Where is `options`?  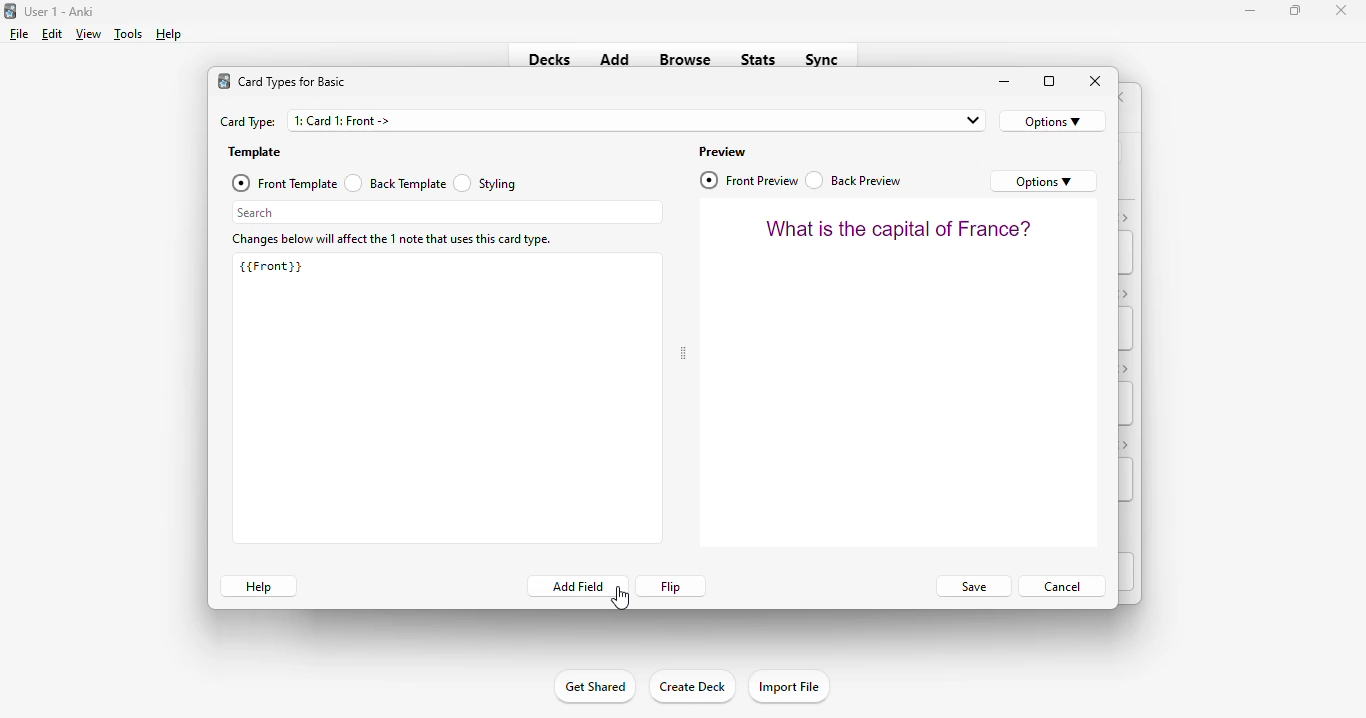
options is located at coordinates (1053, 121).